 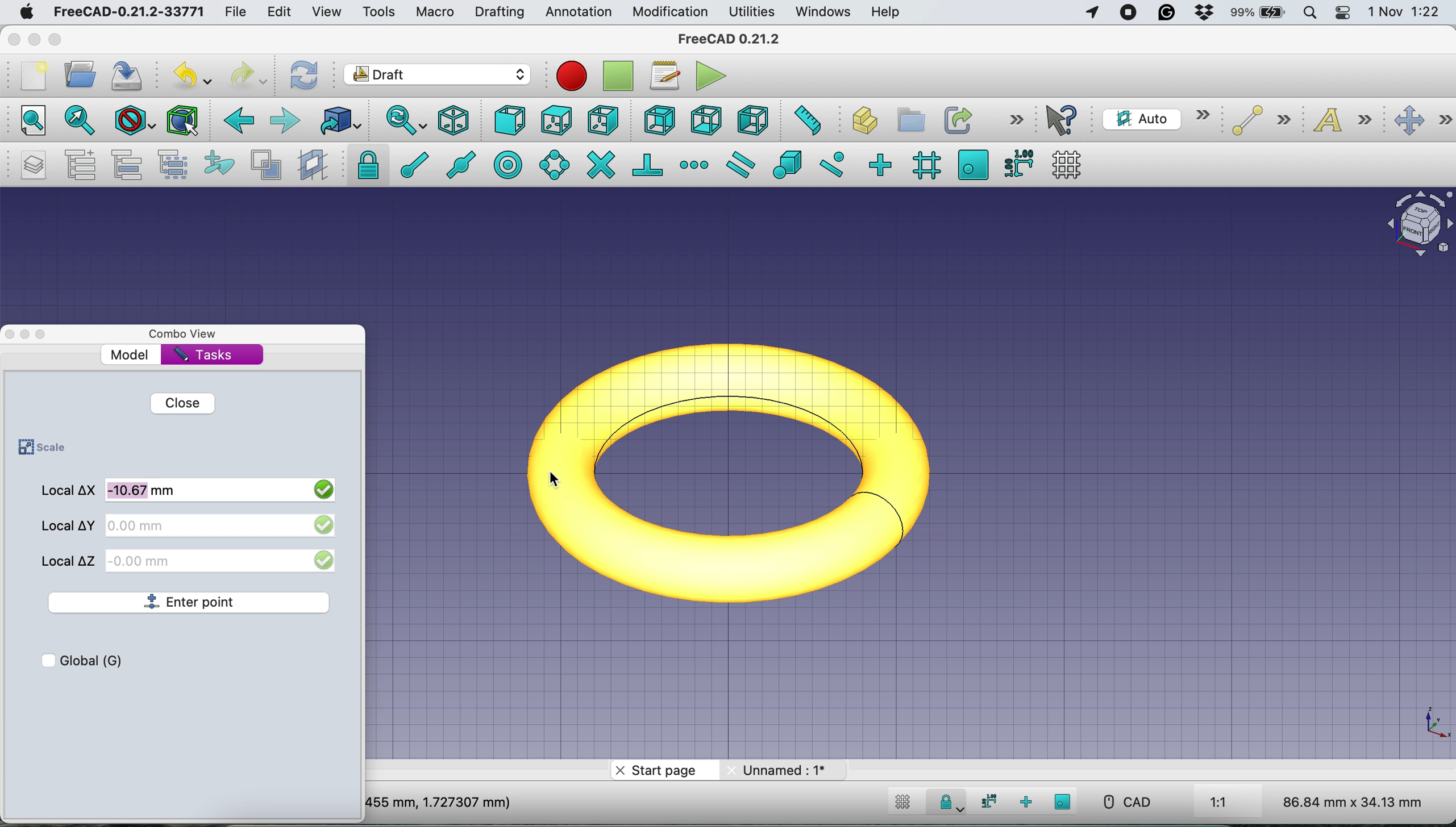 What do you see at coordinates (600, 165) in the screenshot?
I see `snap intersection` at bounding box center [600, 165].